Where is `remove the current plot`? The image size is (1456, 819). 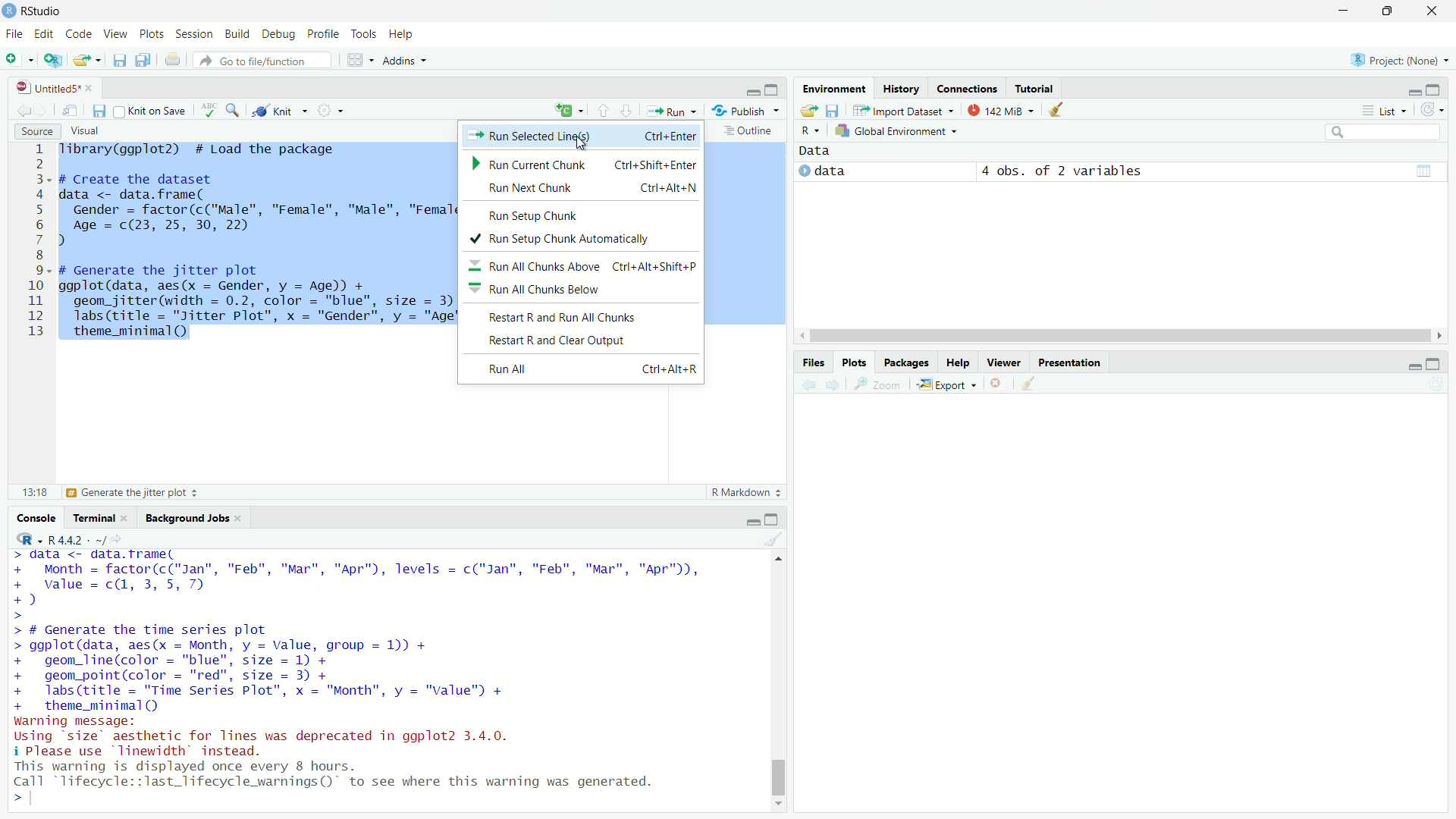
remove the current plot is located at coordinates (999, 384).